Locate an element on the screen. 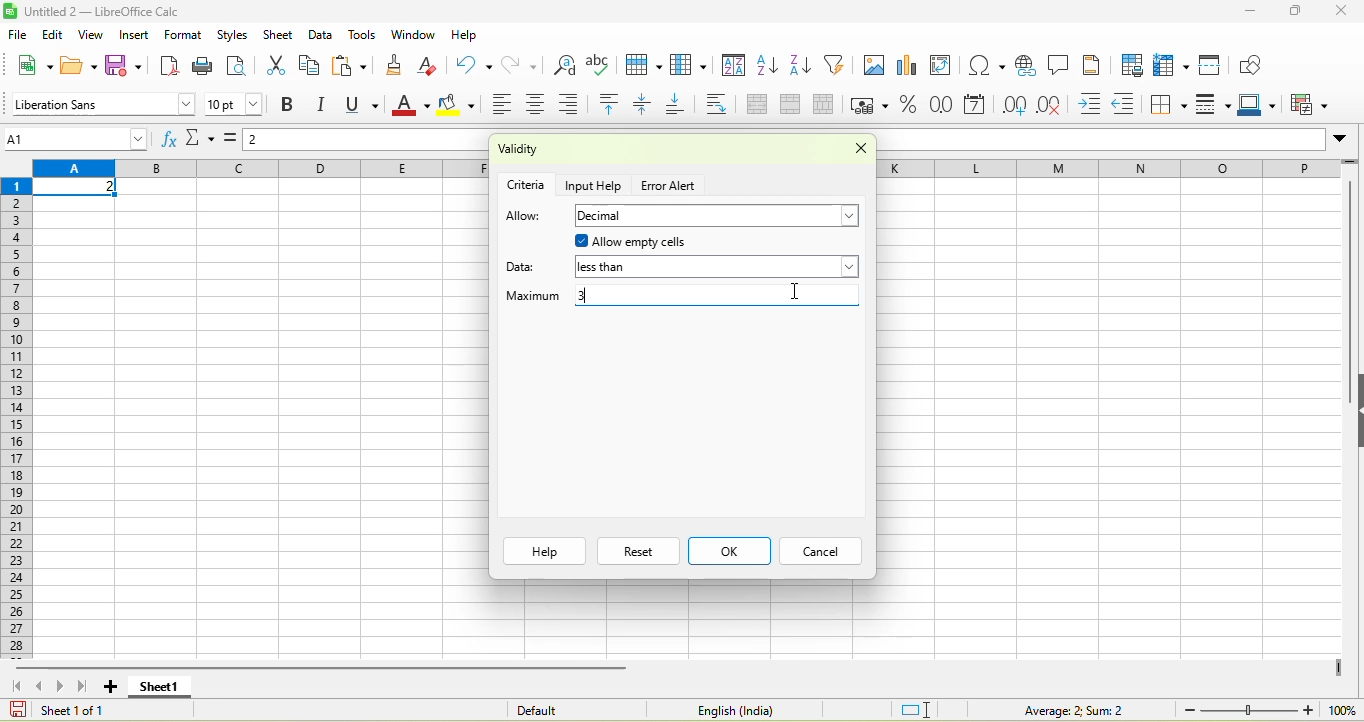 The width and height of the screenshot is (1364, 722). find and replace is located at coordinates (565, 64).